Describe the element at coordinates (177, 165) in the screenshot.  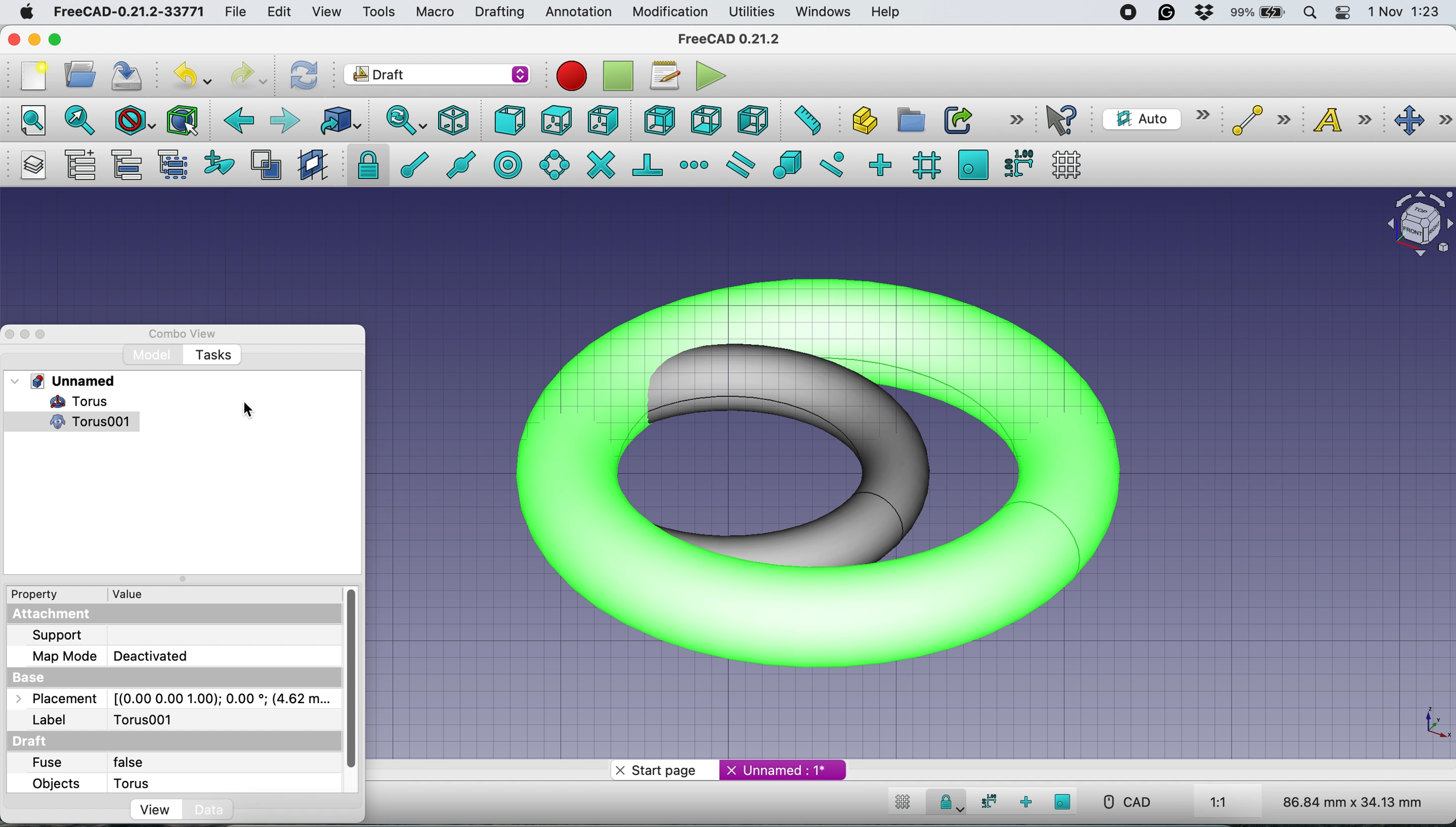
I see `select group` at that location.